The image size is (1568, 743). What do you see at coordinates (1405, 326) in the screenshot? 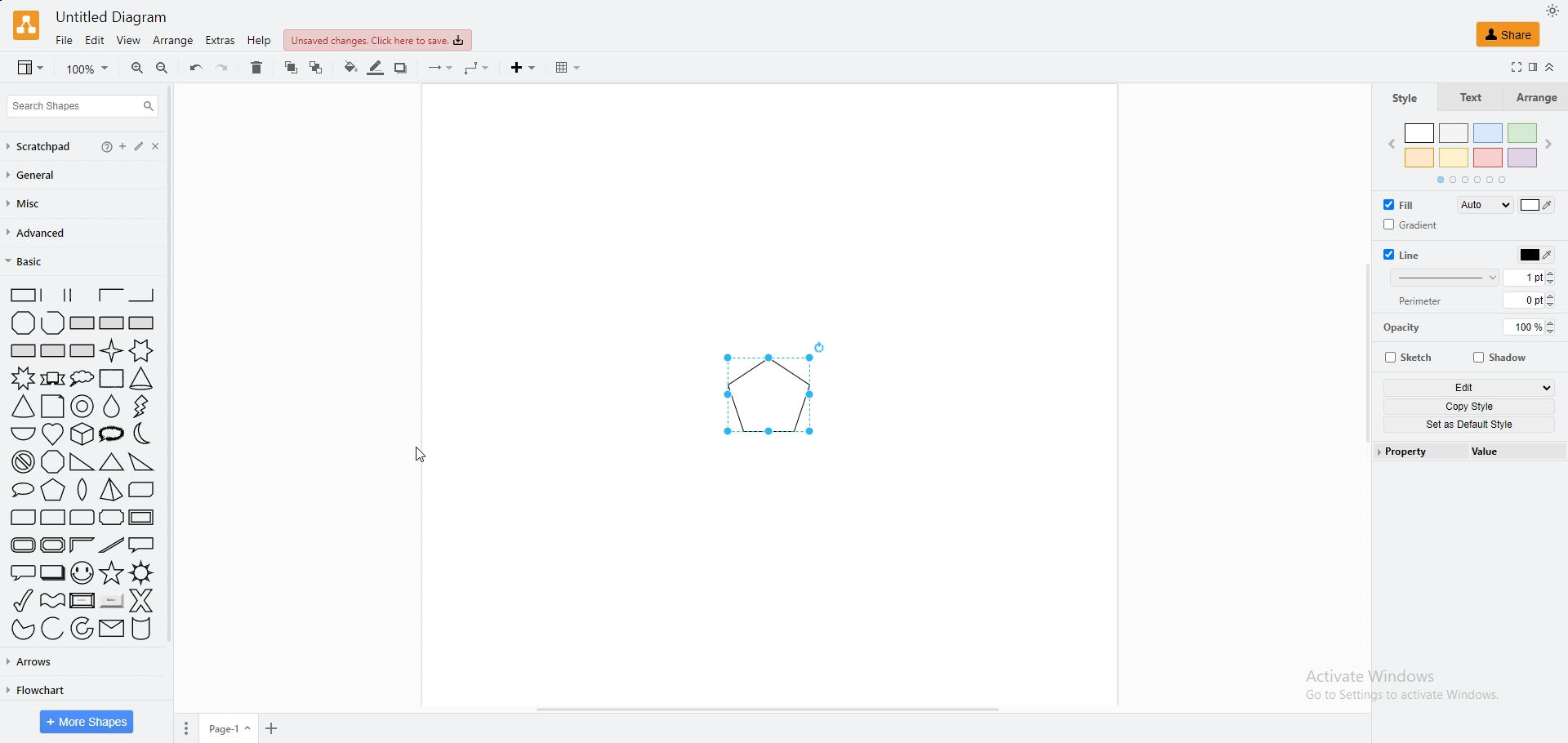
I see `opacity` at bounding box center [1405, 326].